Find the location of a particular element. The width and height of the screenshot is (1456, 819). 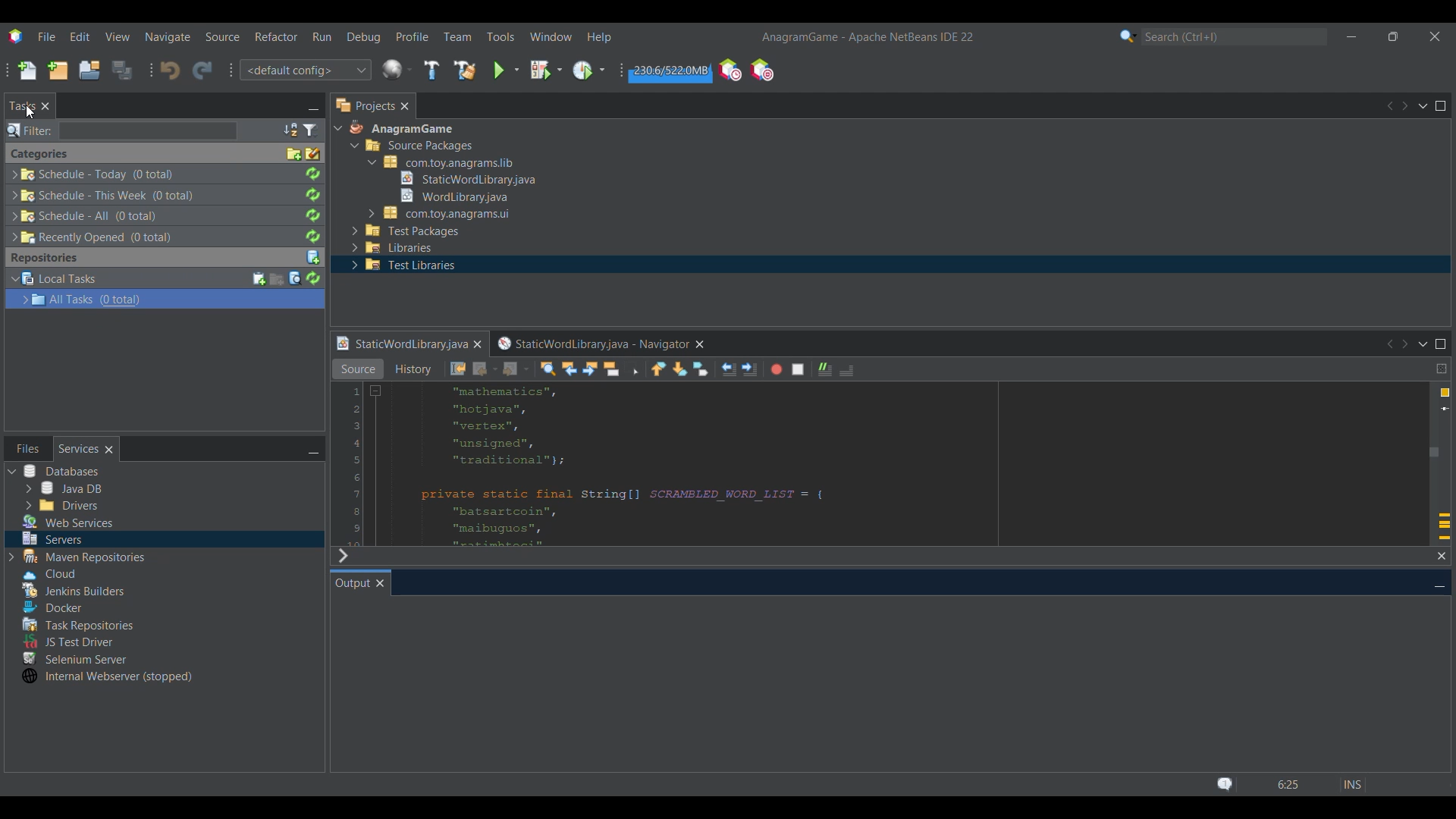

Maximize window is located at coordinates (1441, 344).